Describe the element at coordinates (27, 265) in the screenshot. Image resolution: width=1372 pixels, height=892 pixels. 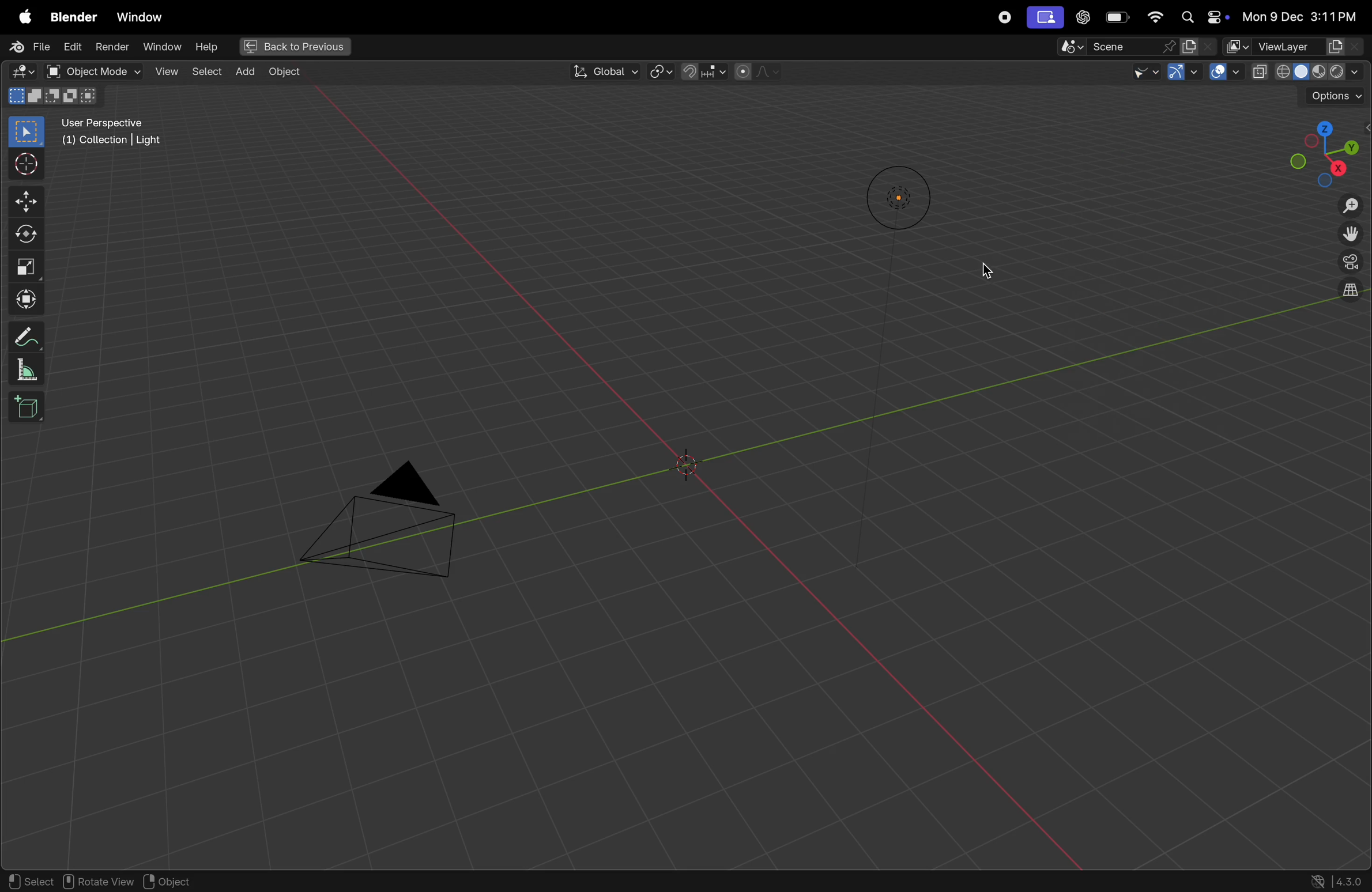
I see `scale` at that location.